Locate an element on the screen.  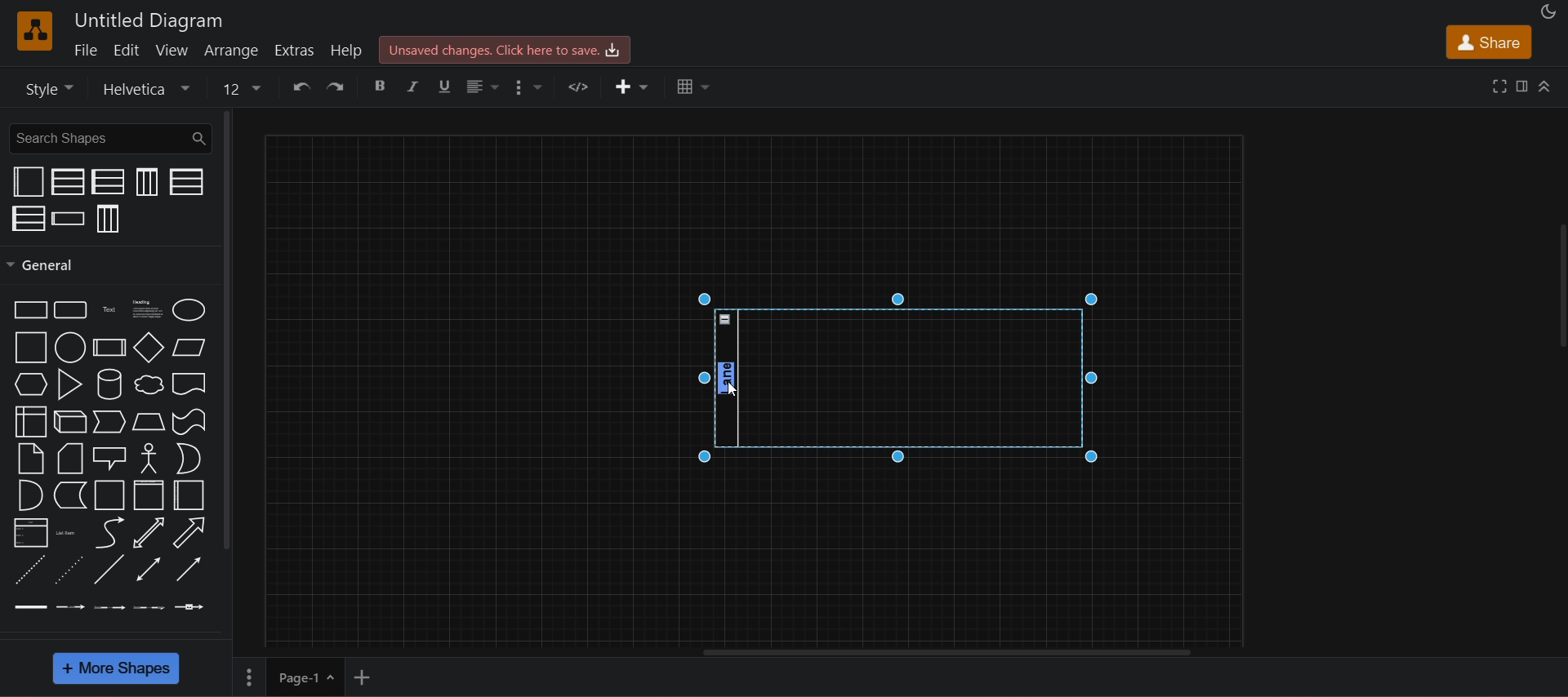
cylinder is located at coordinates (107, 384).